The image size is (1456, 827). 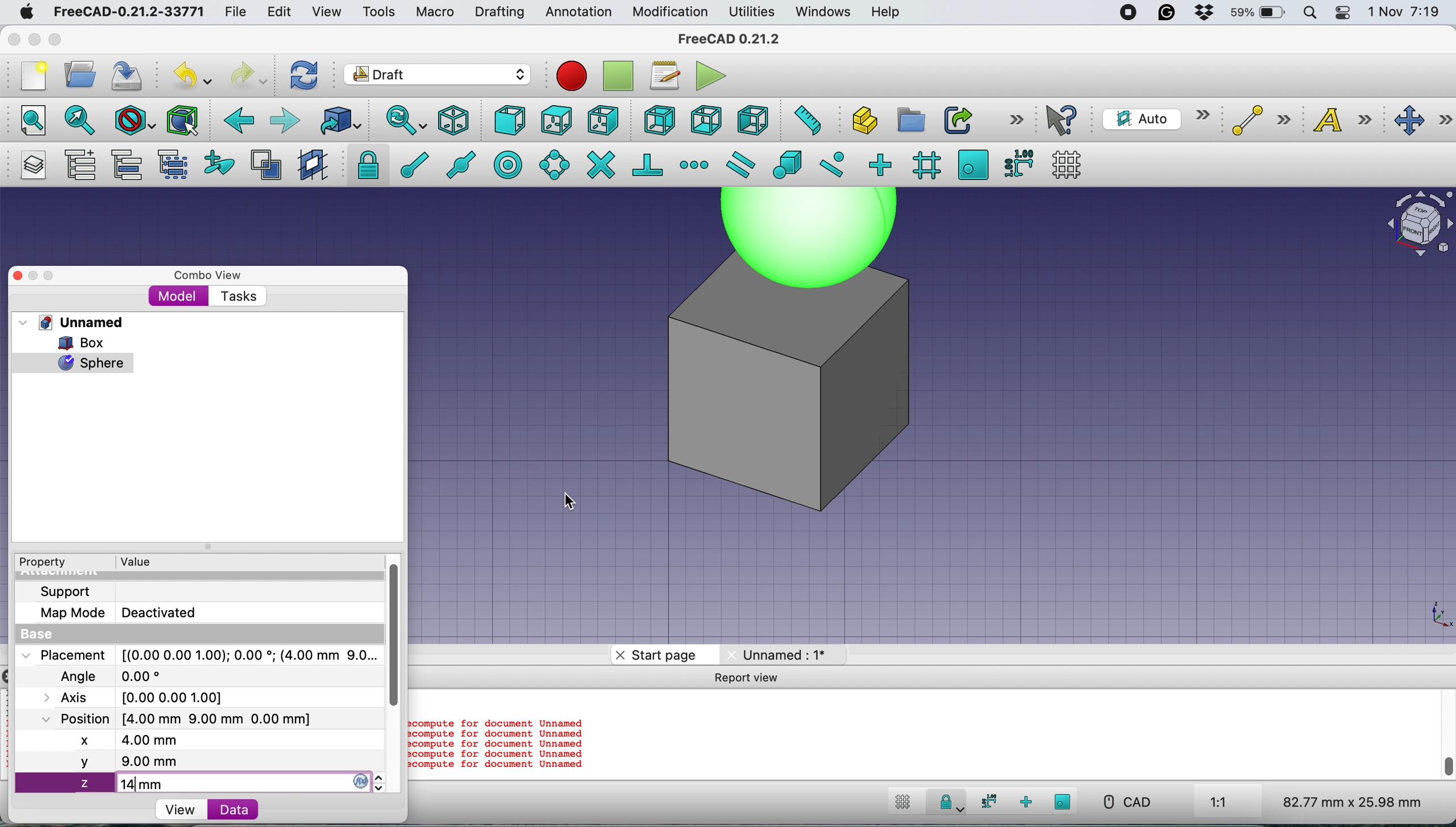 I want to click on freecad, so click(x=738, y=39).